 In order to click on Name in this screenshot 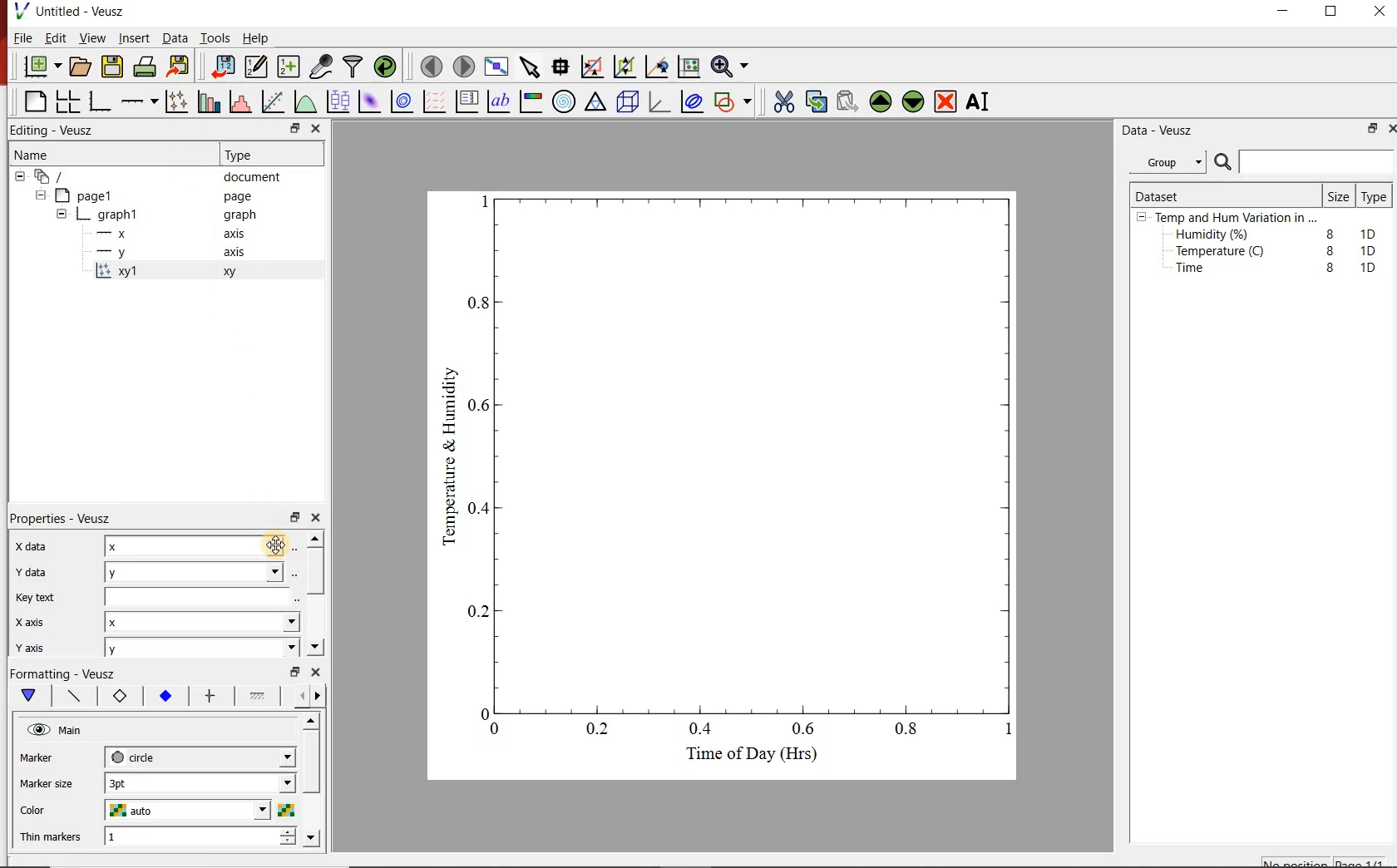, I will do `click(47, 156)`.